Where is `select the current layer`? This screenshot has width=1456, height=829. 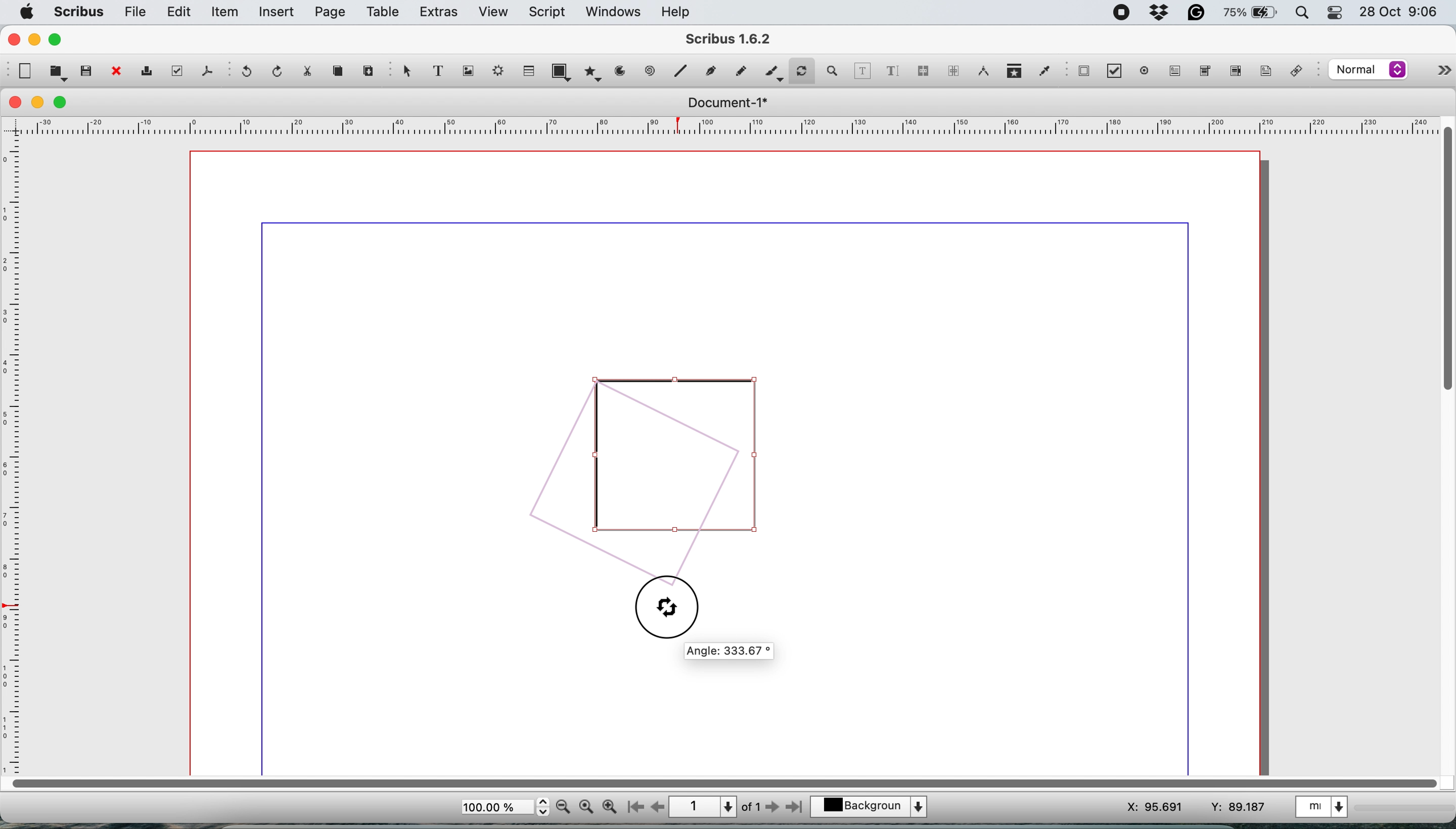 select the current layer is located at coordinates (871, 805).